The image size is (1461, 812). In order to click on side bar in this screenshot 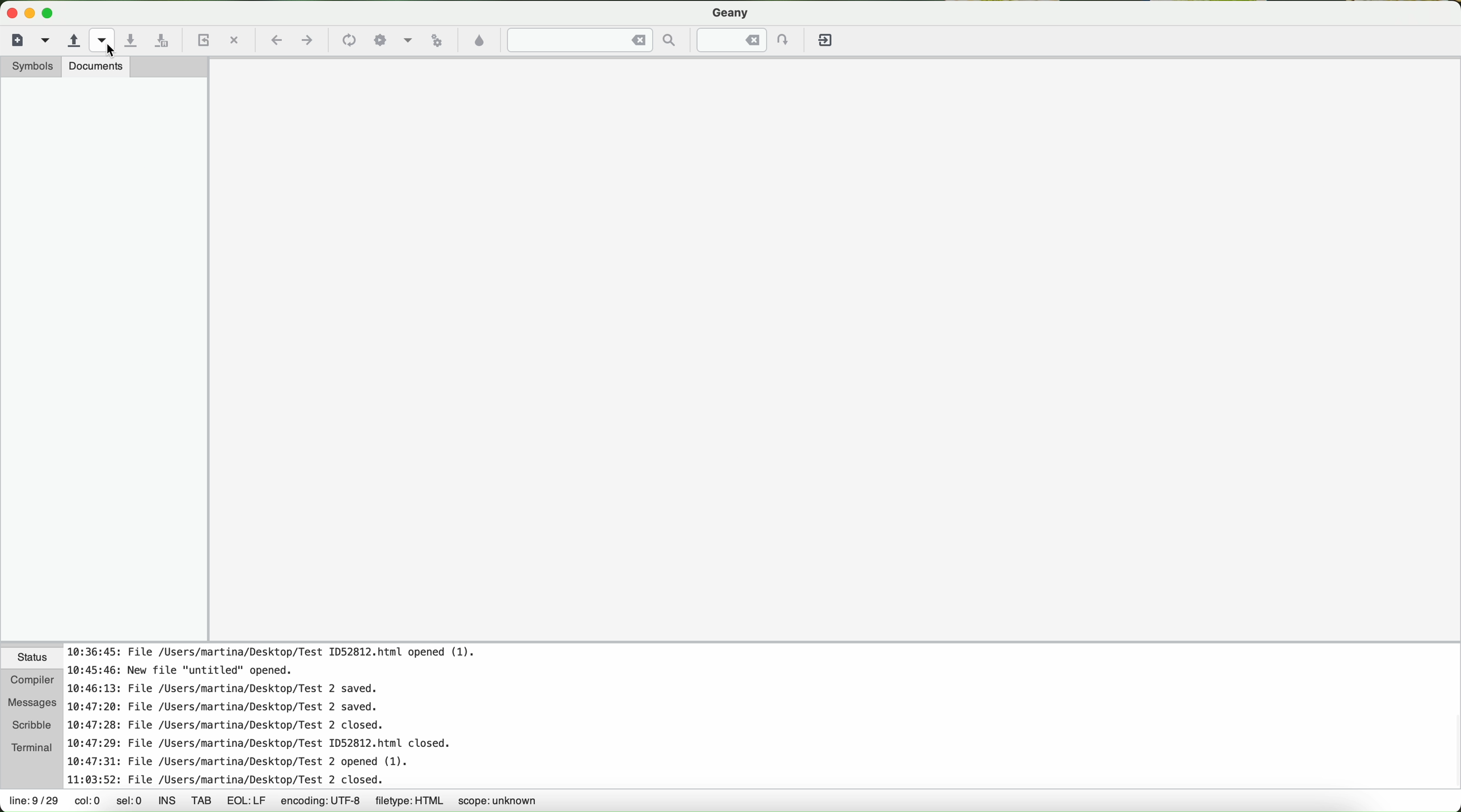, I will do `click(103, 360)`.